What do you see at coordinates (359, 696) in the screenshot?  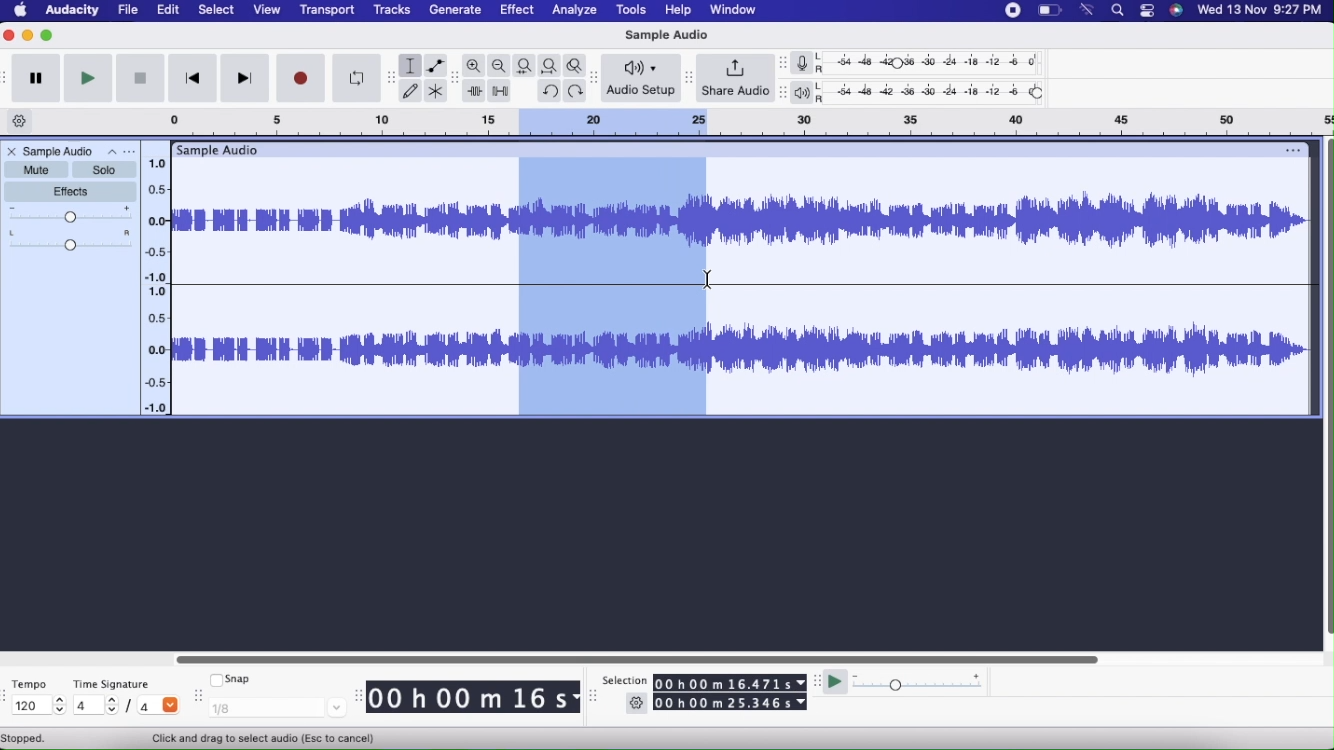 I see `move toolbar` at bounding box center [359, 696].